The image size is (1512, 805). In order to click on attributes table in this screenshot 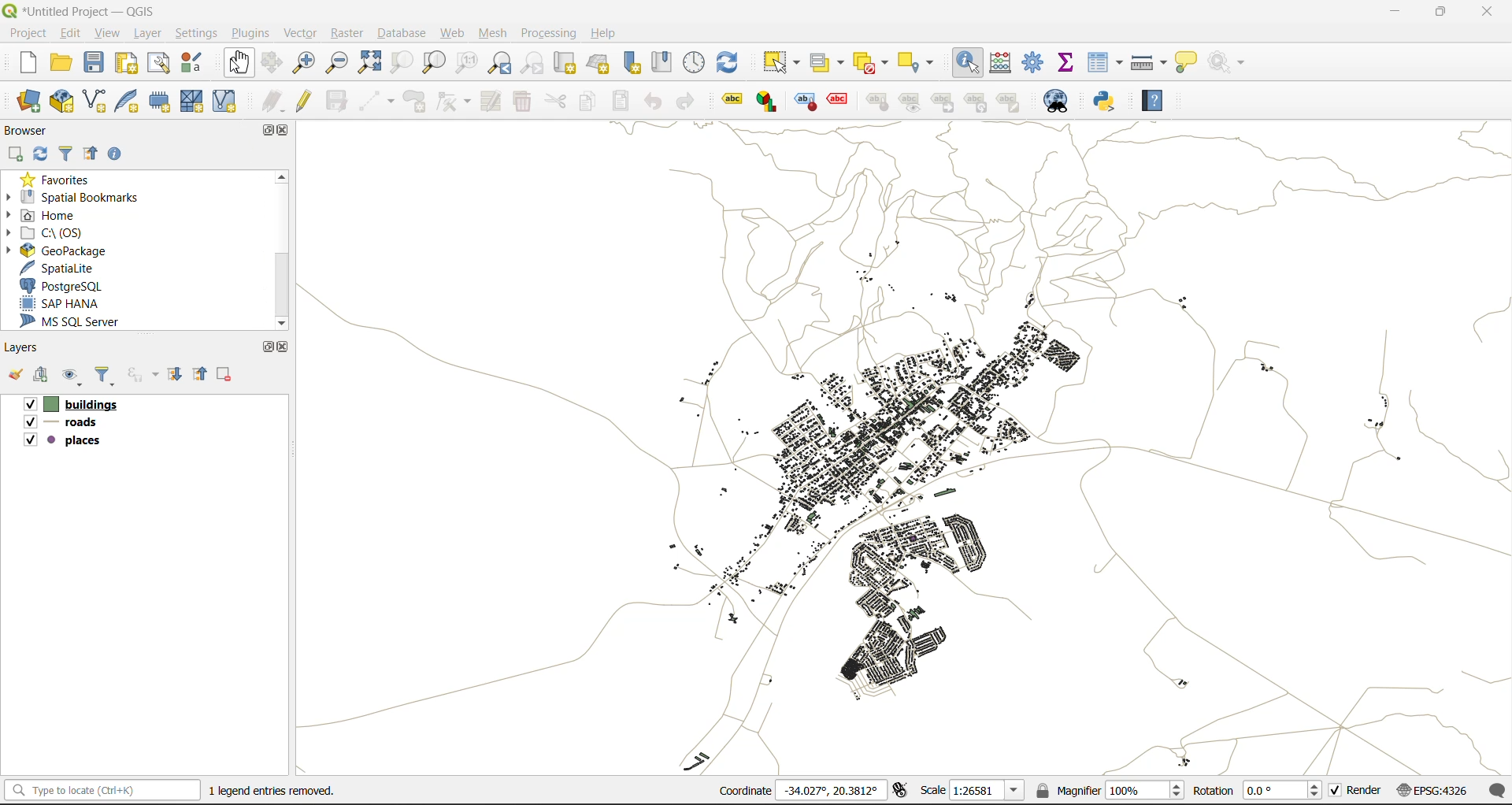, I will do `click(1105, 65)`.